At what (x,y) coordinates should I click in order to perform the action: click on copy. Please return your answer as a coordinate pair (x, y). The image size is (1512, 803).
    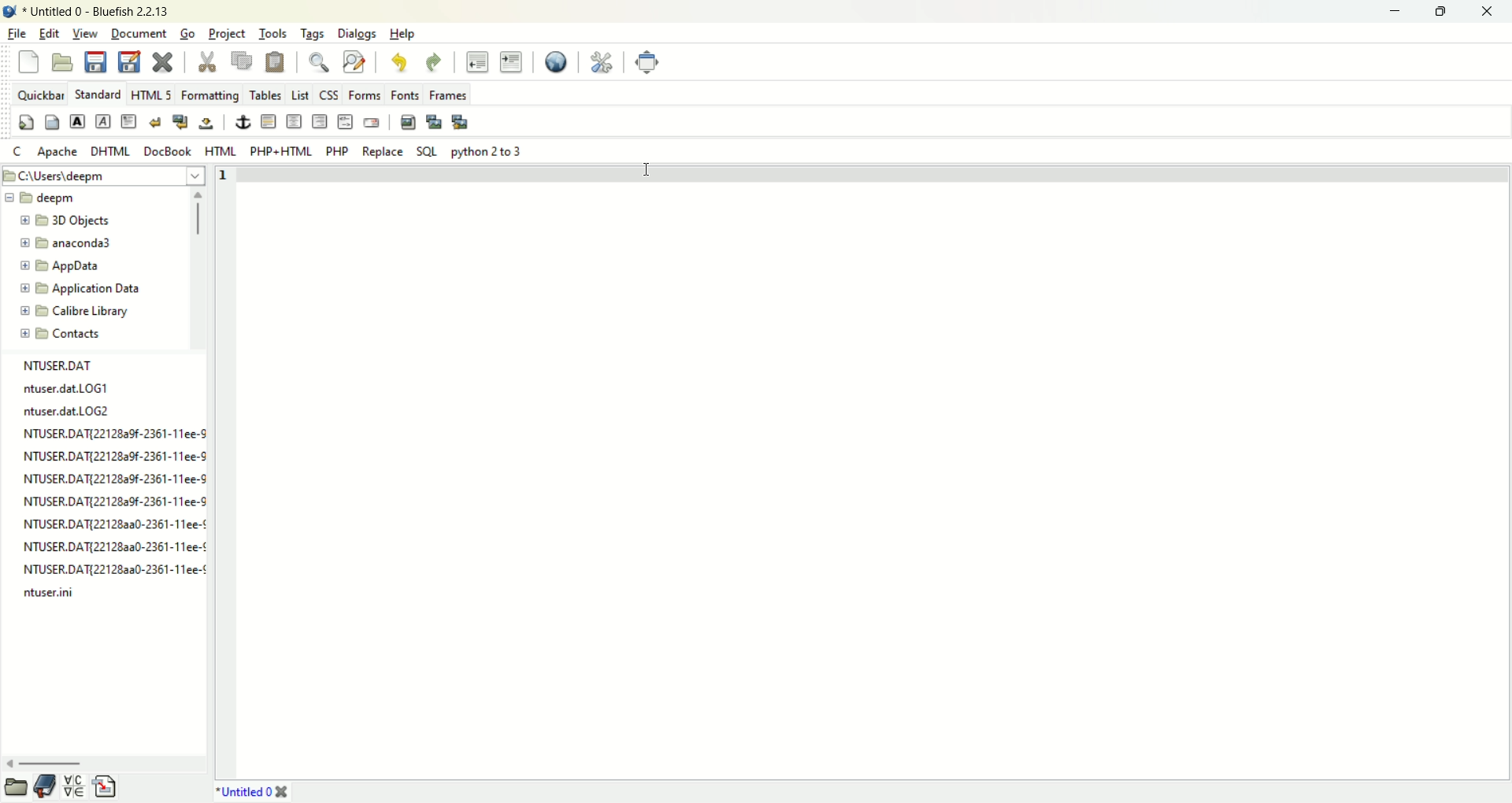
    Looking at the image, I should click on (243, 61).